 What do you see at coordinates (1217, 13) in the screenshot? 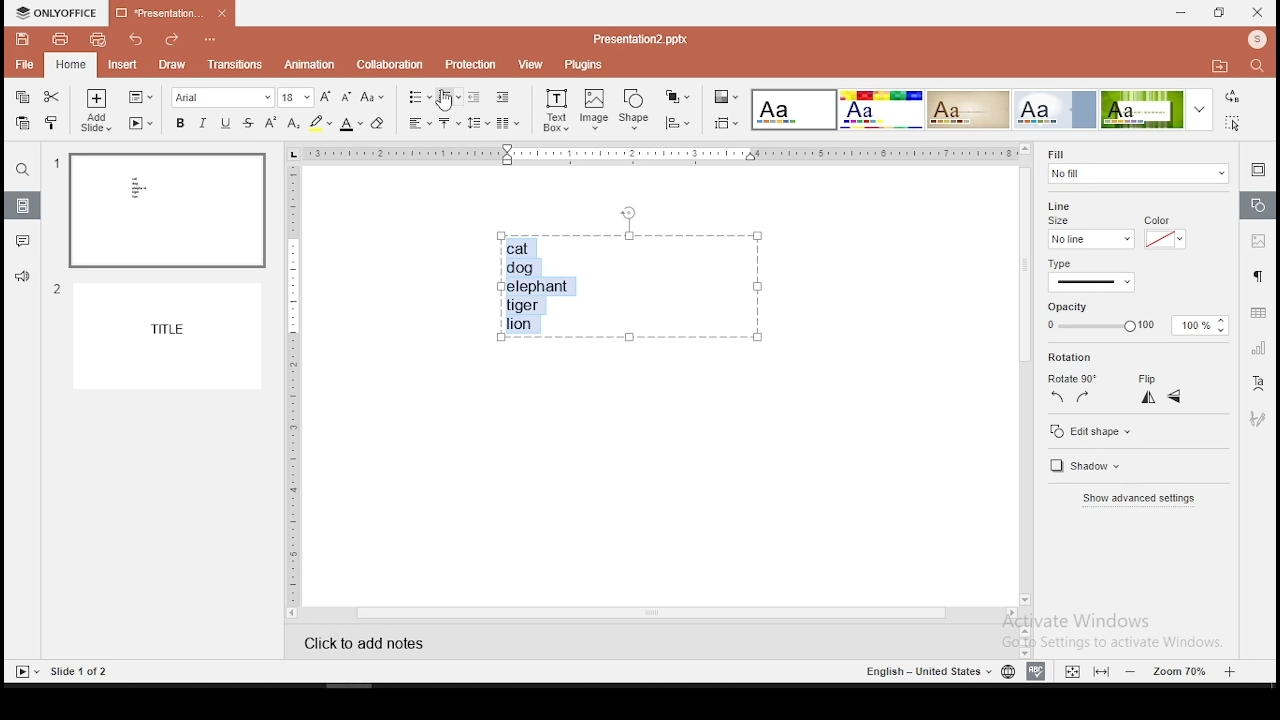
I see `restore` at bounding box center [1217, 13].